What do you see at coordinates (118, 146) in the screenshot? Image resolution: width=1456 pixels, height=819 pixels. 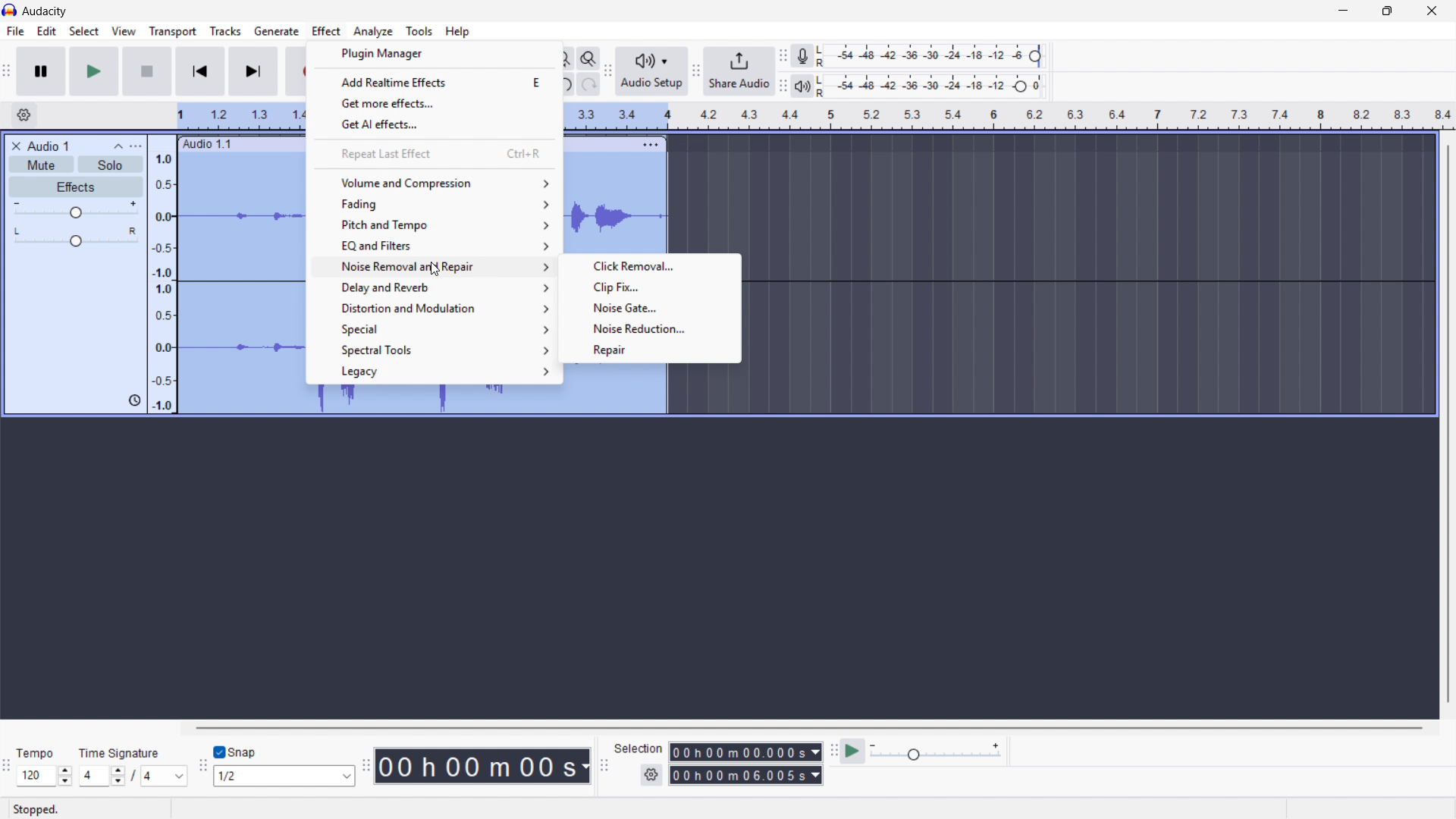 I see `Collapse ` at bounding box center [118, 146].